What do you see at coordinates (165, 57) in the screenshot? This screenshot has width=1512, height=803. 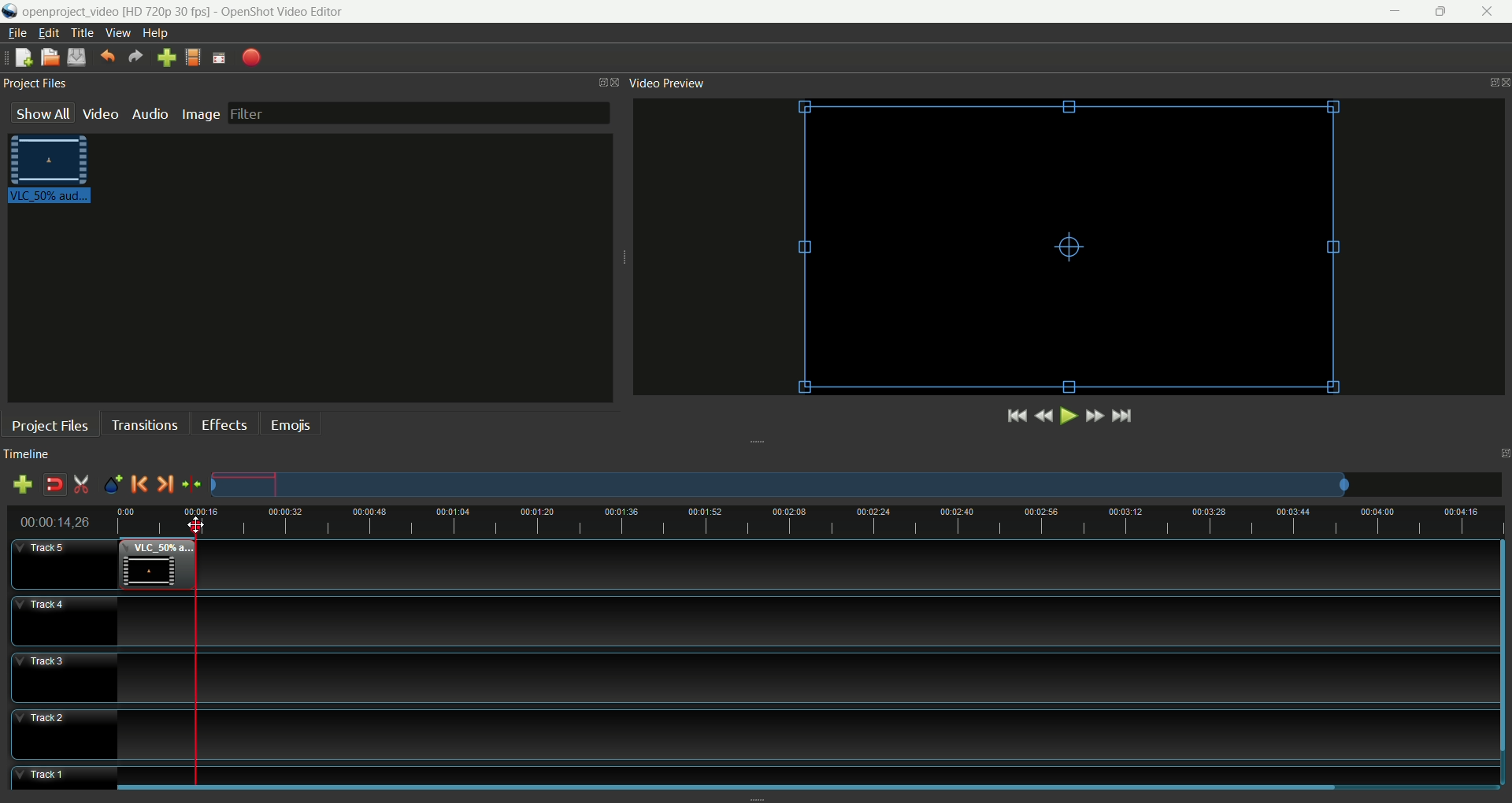 I see `import file` at bounding box center [165, 57].